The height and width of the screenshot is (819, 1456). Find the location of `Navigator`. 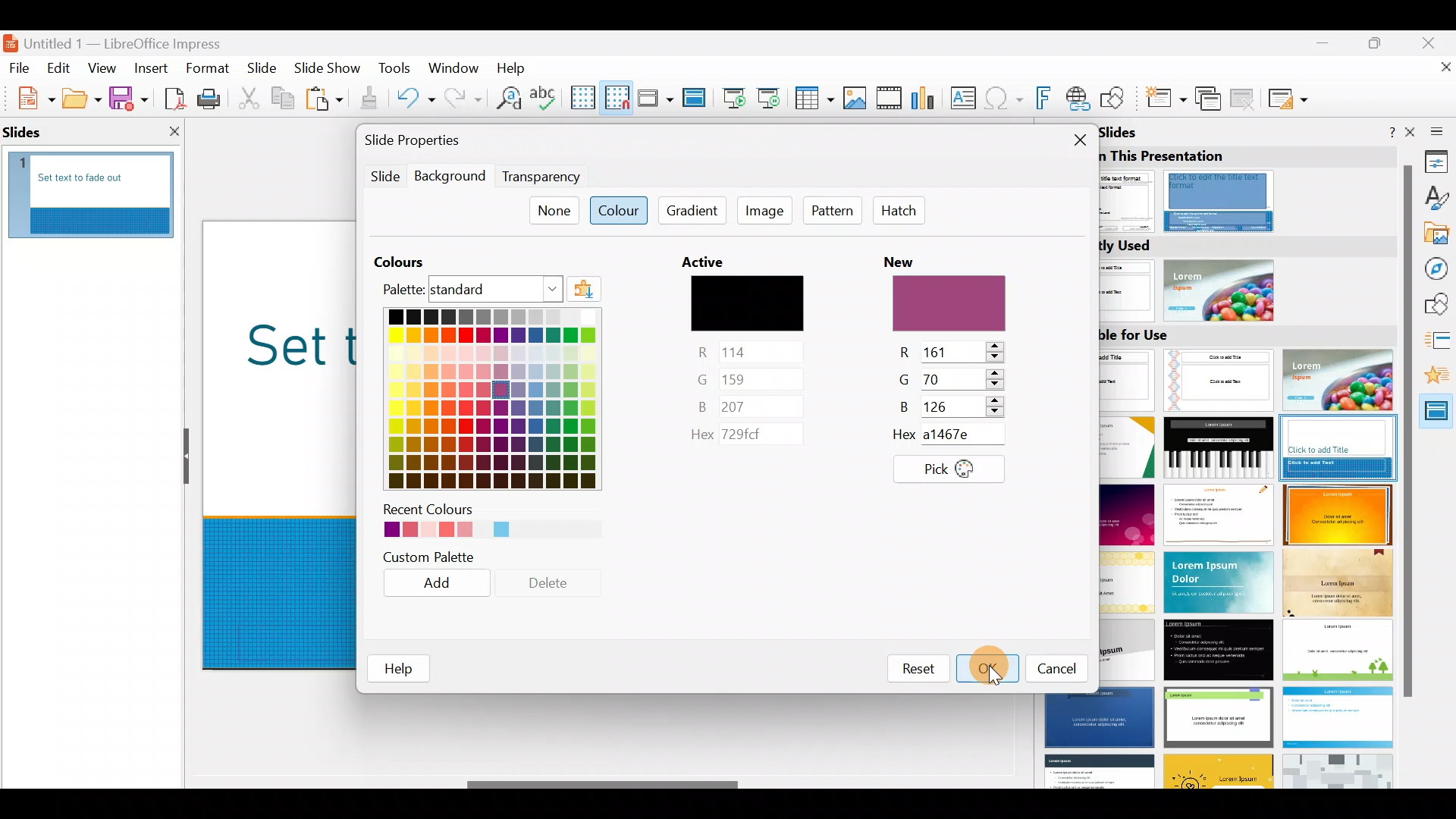

Navigator is located at coordinates (1439, 268).